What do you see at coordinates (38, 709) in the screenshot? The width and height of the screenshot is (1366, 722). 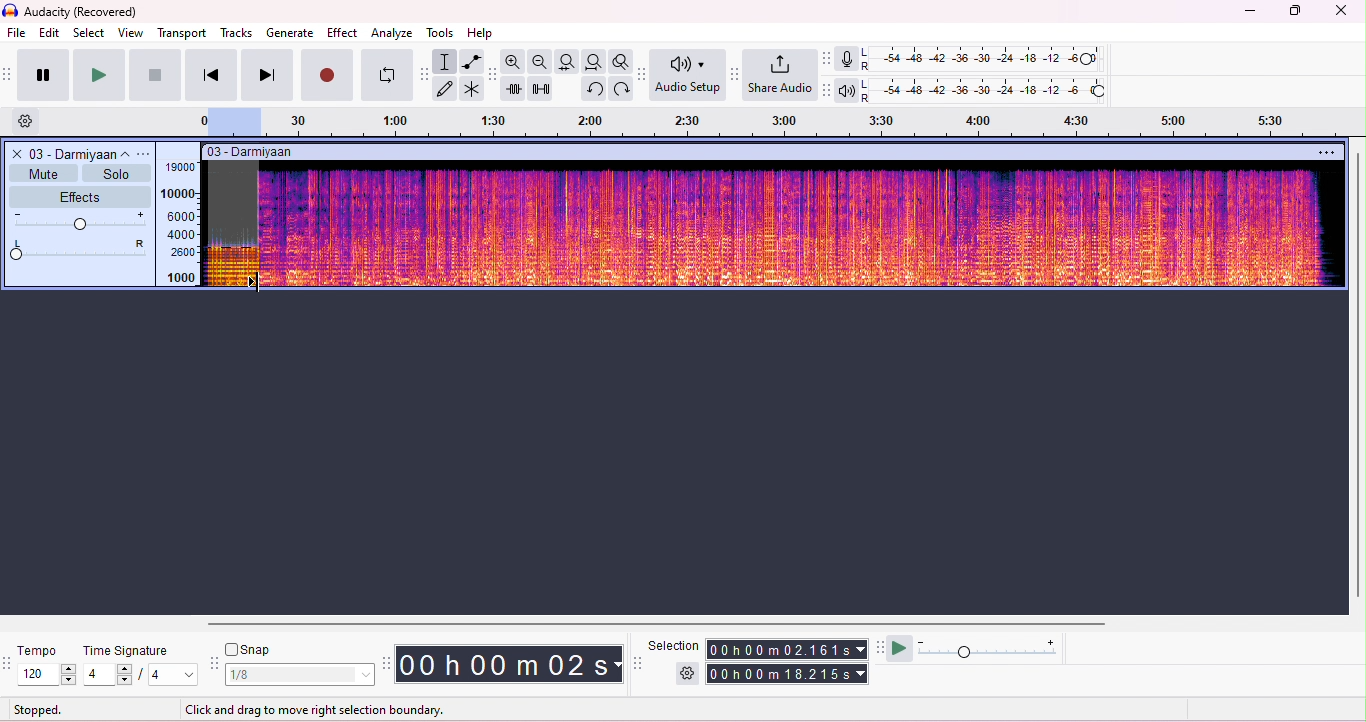 I see `stopped` at bounding box center [38, 709].